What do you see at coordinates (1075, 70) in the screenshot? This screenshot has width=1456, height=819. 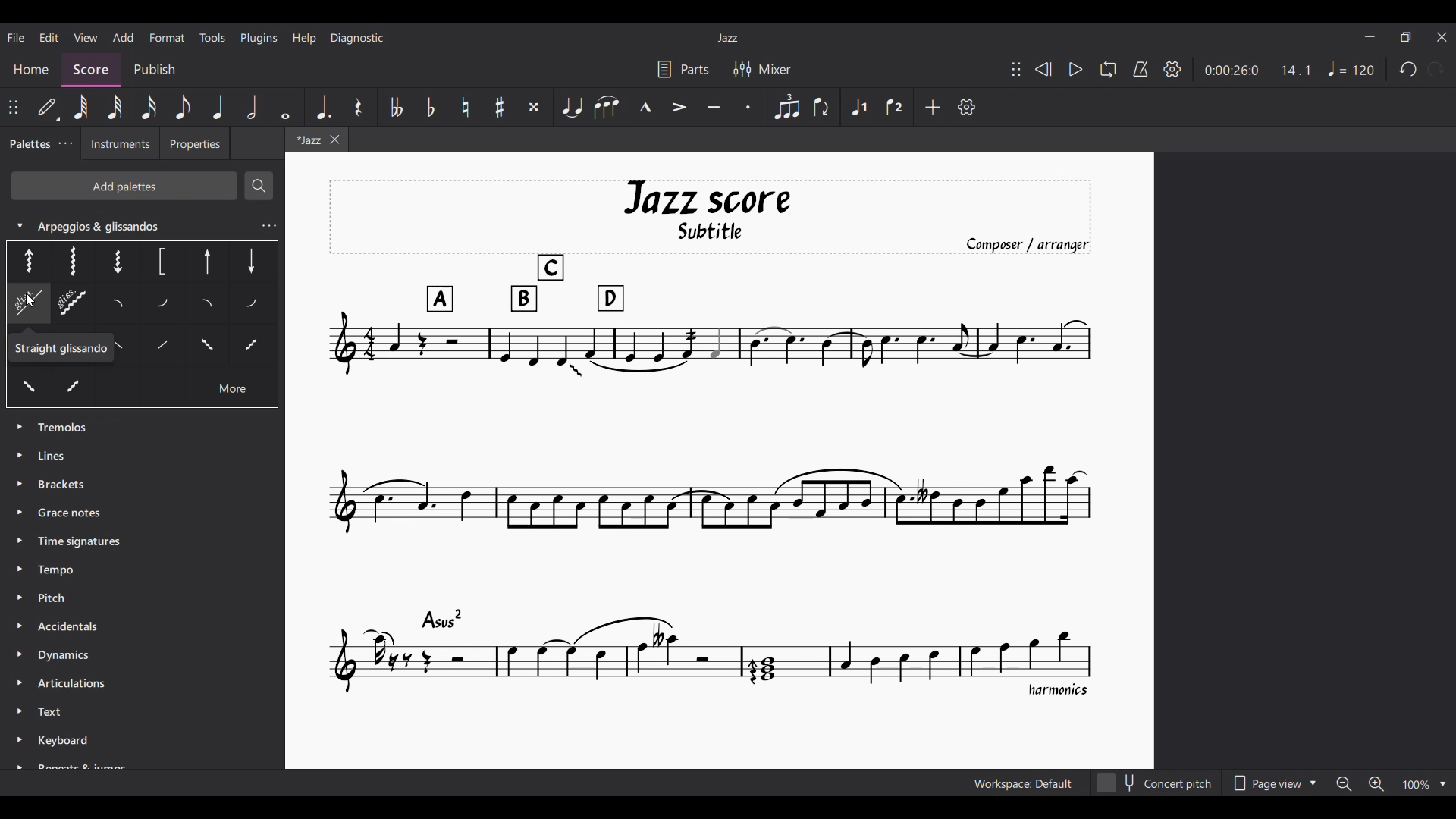 I see `Play` at bounding box center [1075, 70].